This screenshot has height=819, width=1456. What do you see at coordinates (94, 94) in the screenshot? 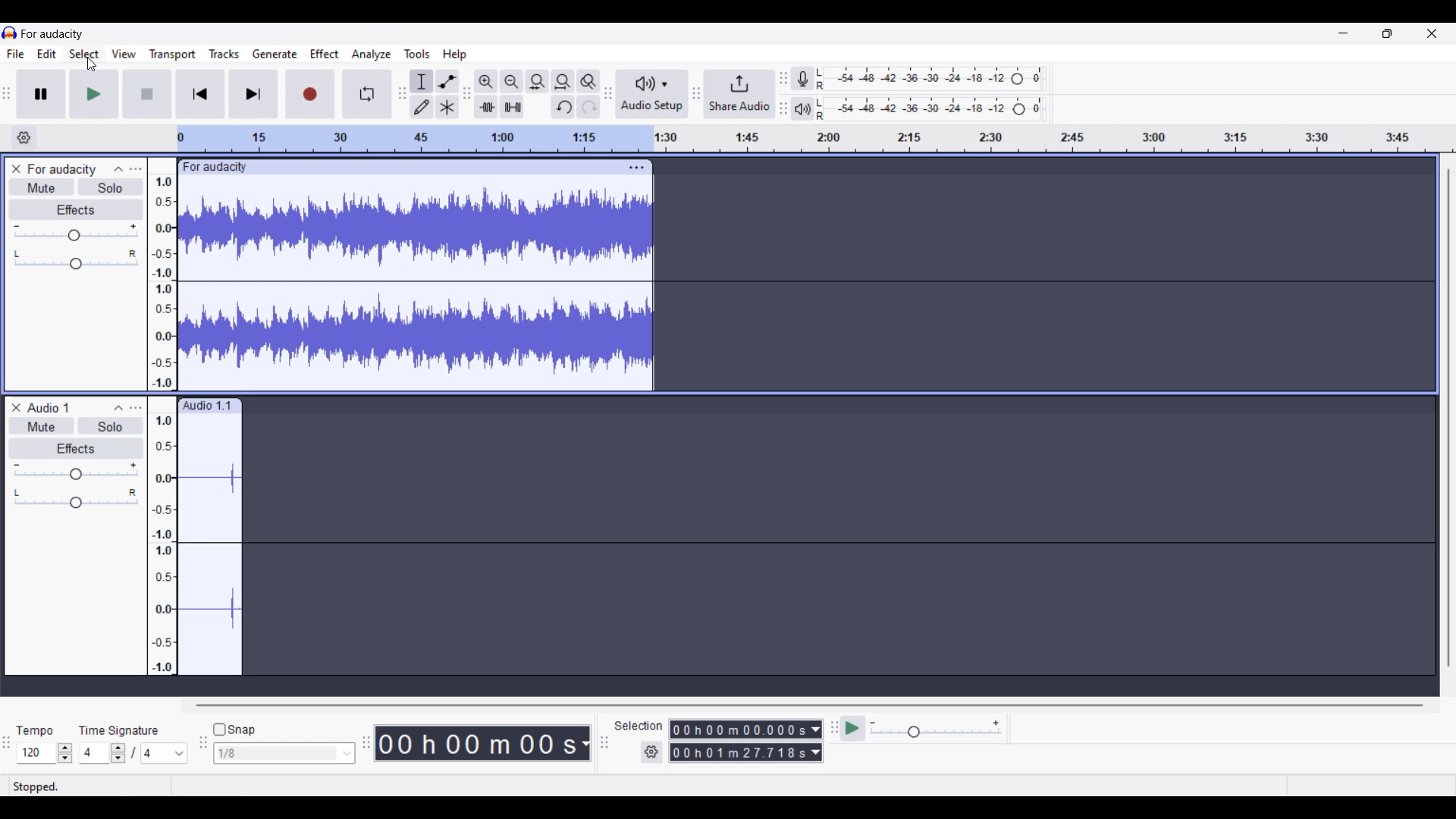
I see `Play/Play once` at bounding box center [94, 94].